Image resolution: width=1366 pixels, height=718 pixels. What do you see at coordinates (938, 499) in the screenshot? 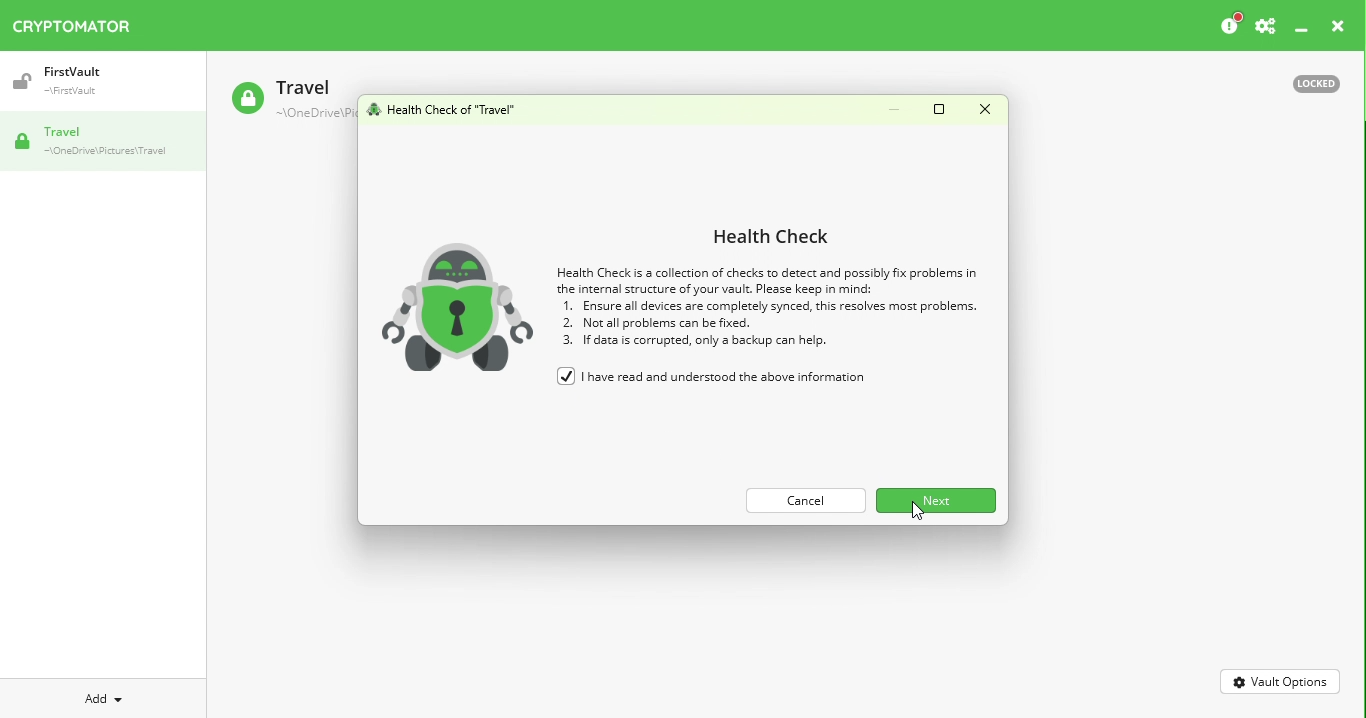
I see `Next` at bounding box center [938, 499].